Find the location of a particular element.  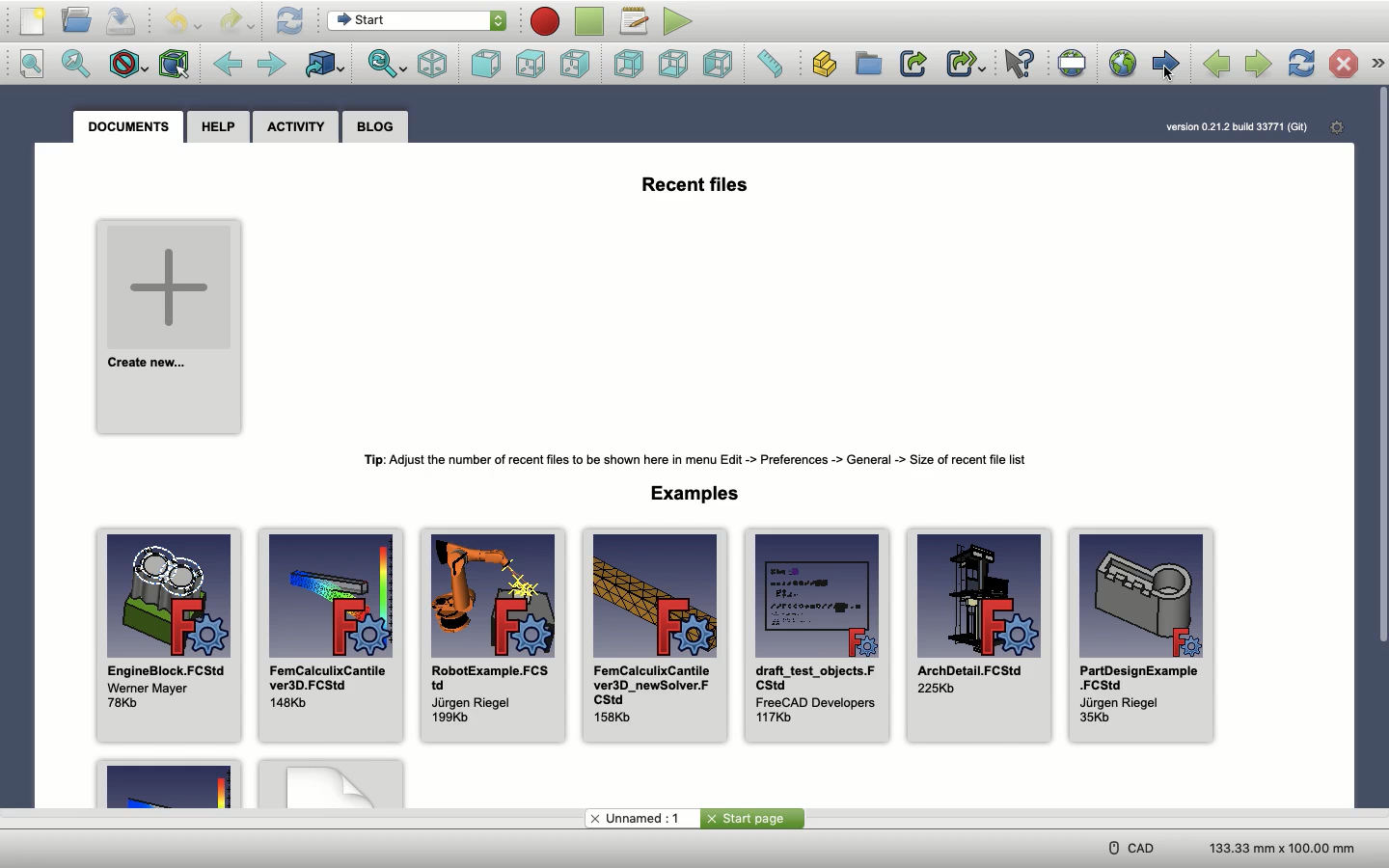

Right is located at coordinates (574, 64).